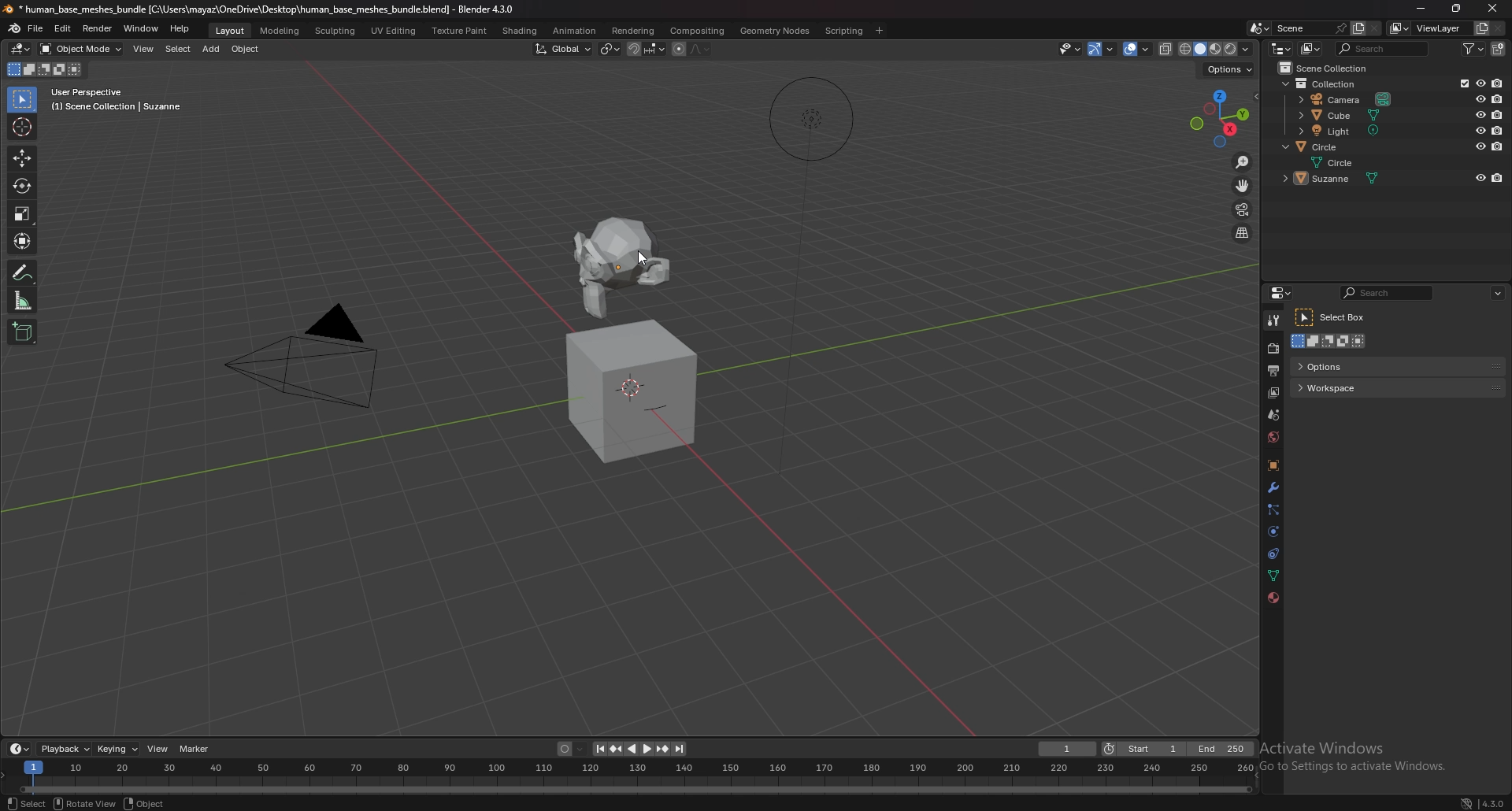 This screenshot has height=811, width=1512. Describe the element at coordinates (1480, 145) in the screenshot. I see `hide in viewport` at that location.